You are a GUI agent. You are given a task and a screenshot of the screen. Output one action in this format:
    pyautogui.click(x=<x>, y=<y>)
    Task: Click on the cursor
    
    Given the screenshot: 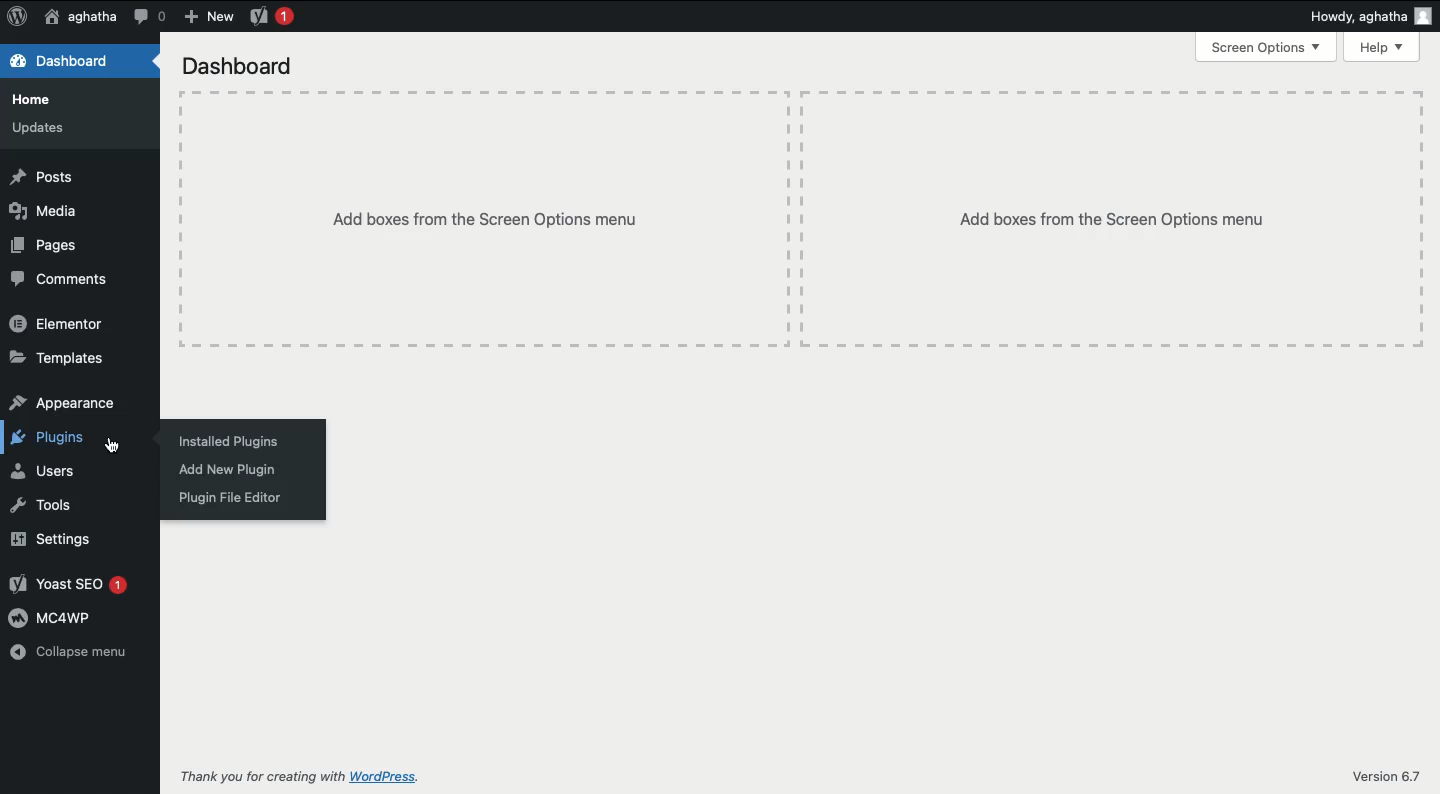 What is the action you would take?
    pyautogui.click(x=130, y=446)
    